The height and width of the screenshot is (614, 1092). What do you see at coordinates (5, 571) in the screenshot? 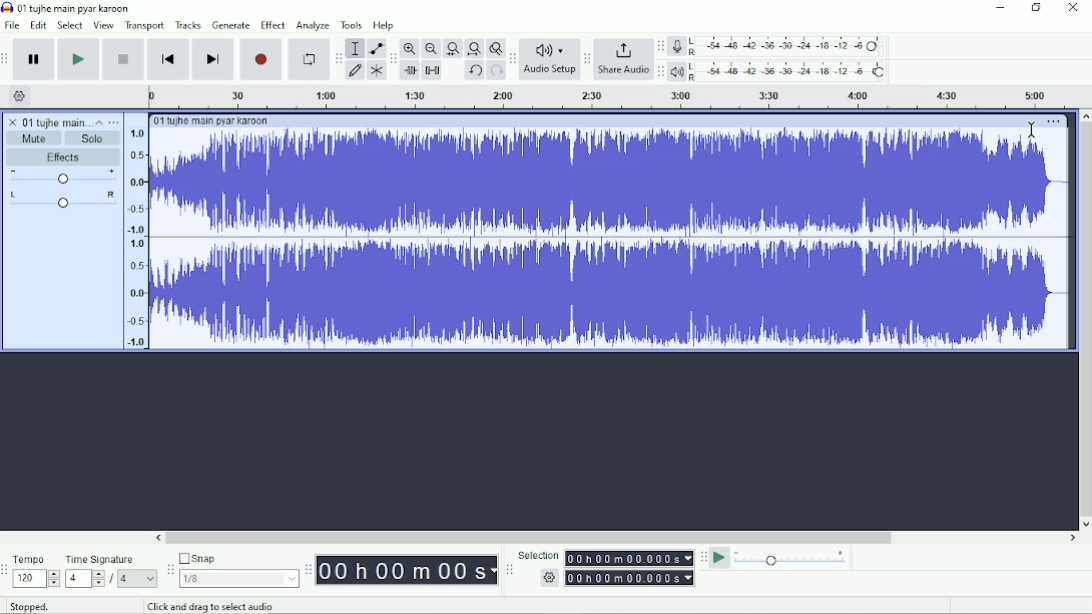
I see `Audacity time signature toolbar` at bounding box center [5, 571].